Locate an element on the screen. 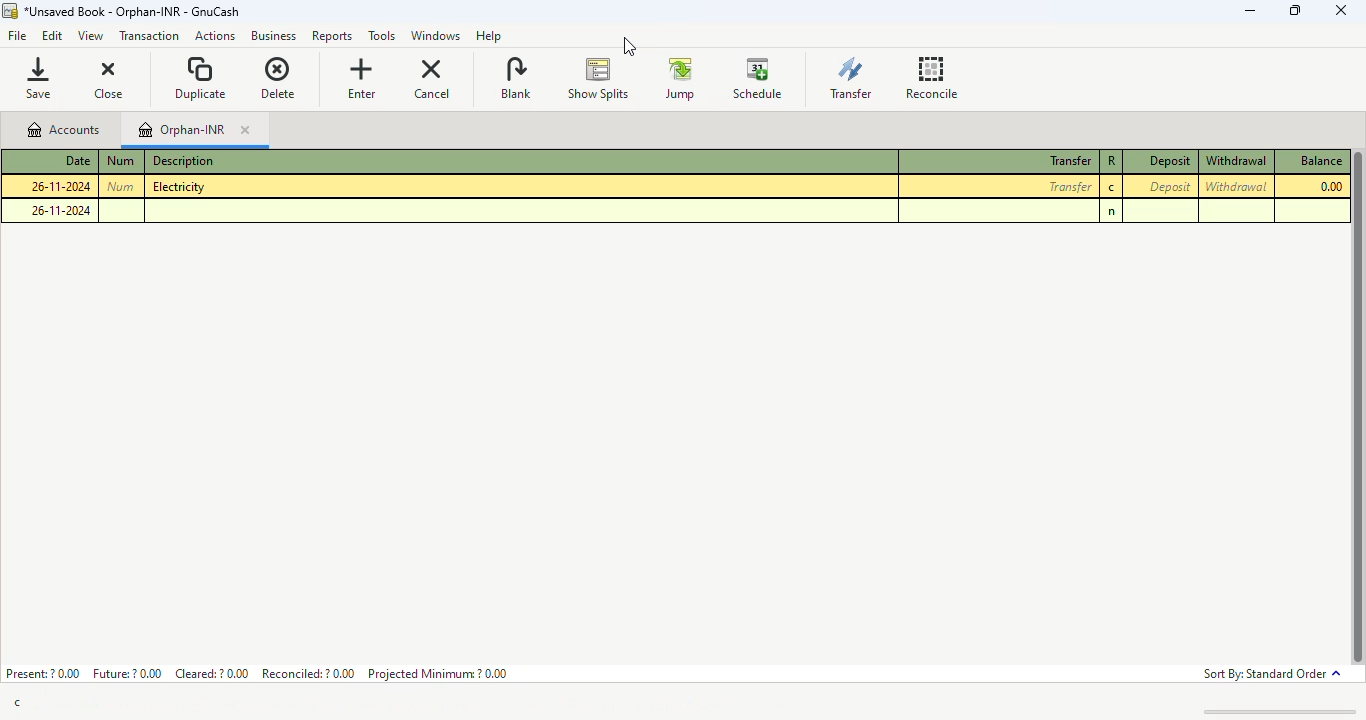 The width and height of the screenshot is (1366, 720). view is located at coordinates (89, 38).